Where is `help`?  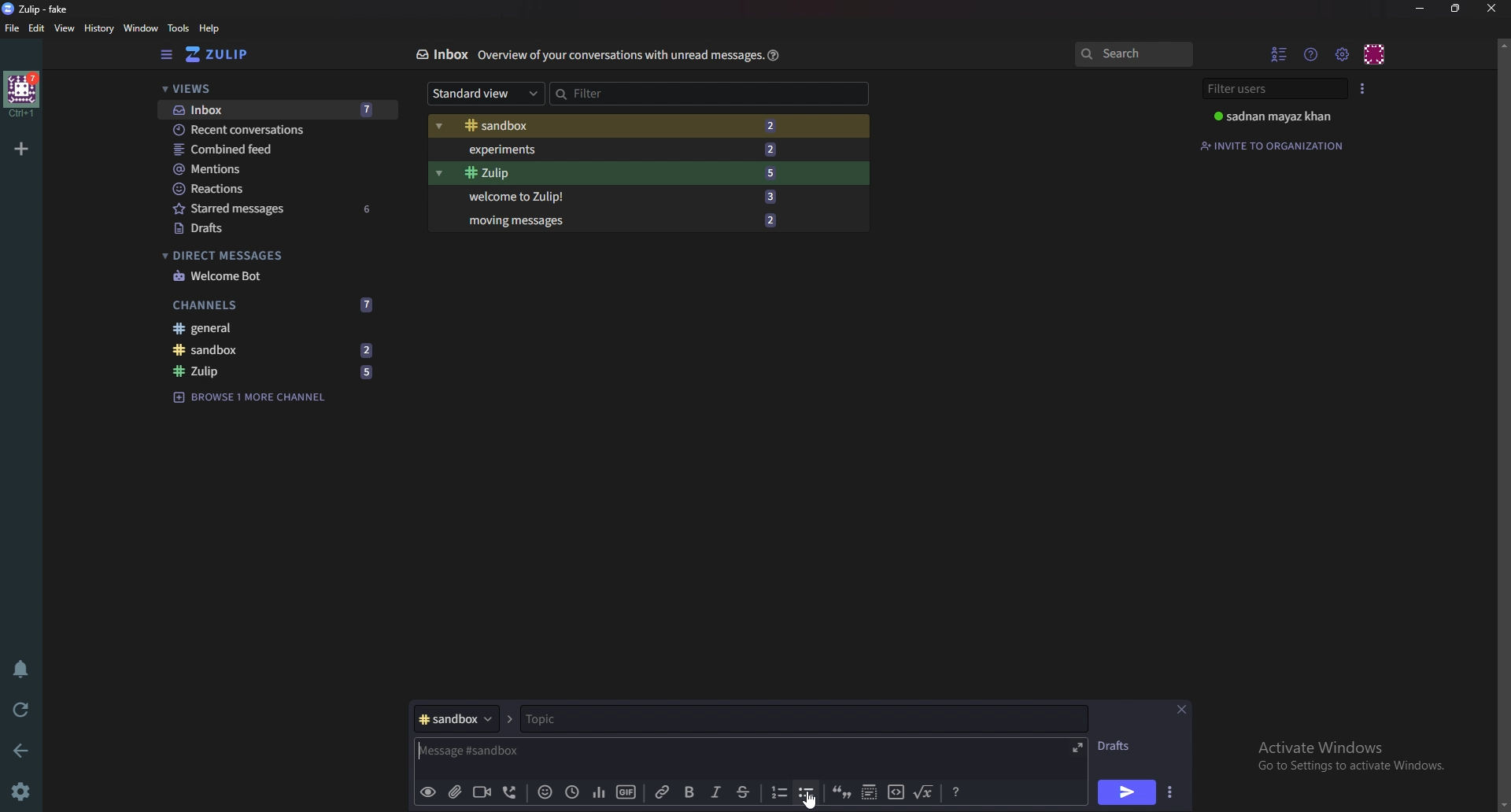 help is located at coordinates (210, 28).